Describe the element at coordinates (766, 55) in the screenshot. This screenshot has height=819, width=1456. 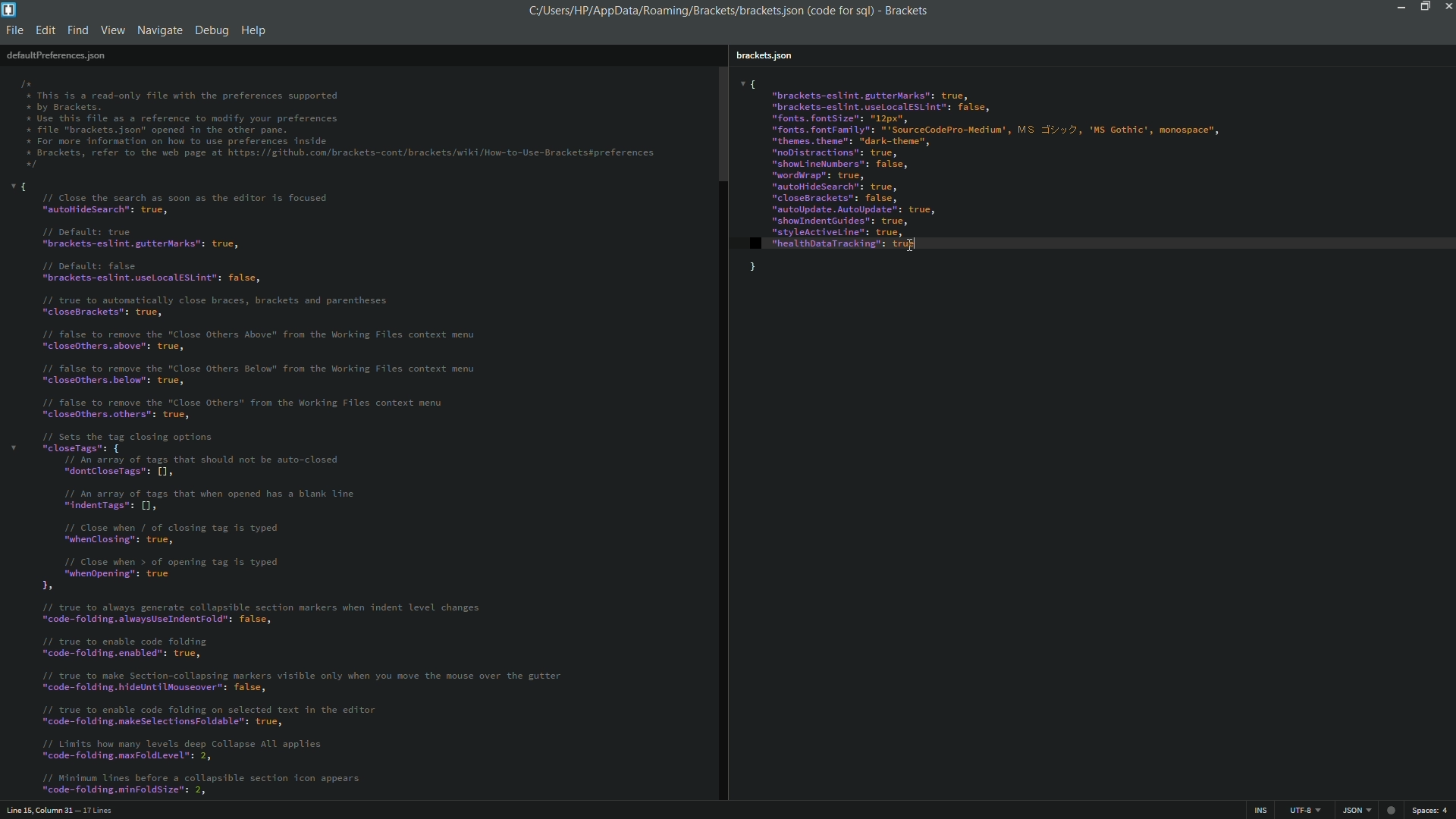
I see `Brackets.json` at that location.